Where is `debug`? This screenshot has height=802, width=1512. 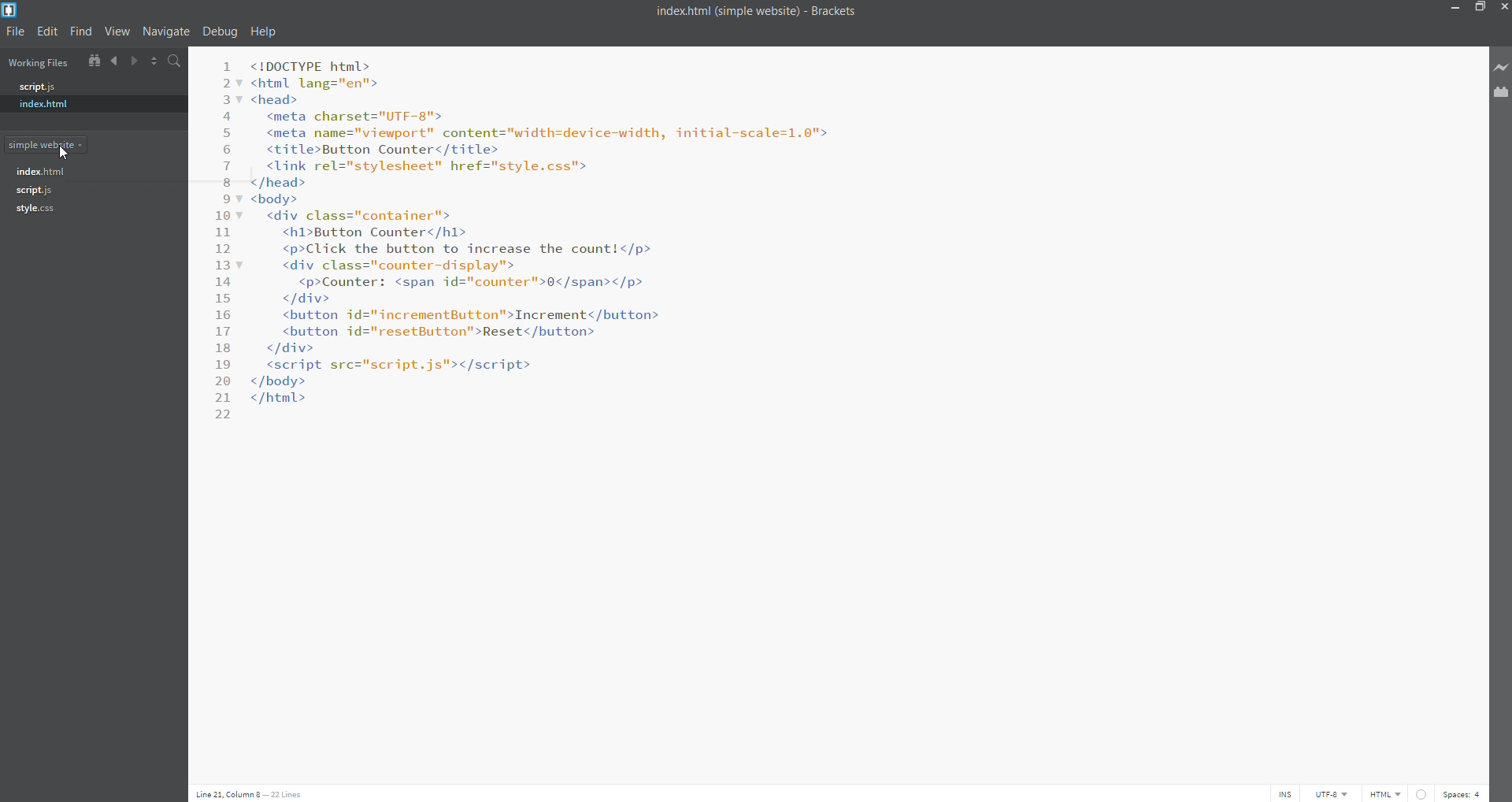 debug is located at coordinates (217, 31).